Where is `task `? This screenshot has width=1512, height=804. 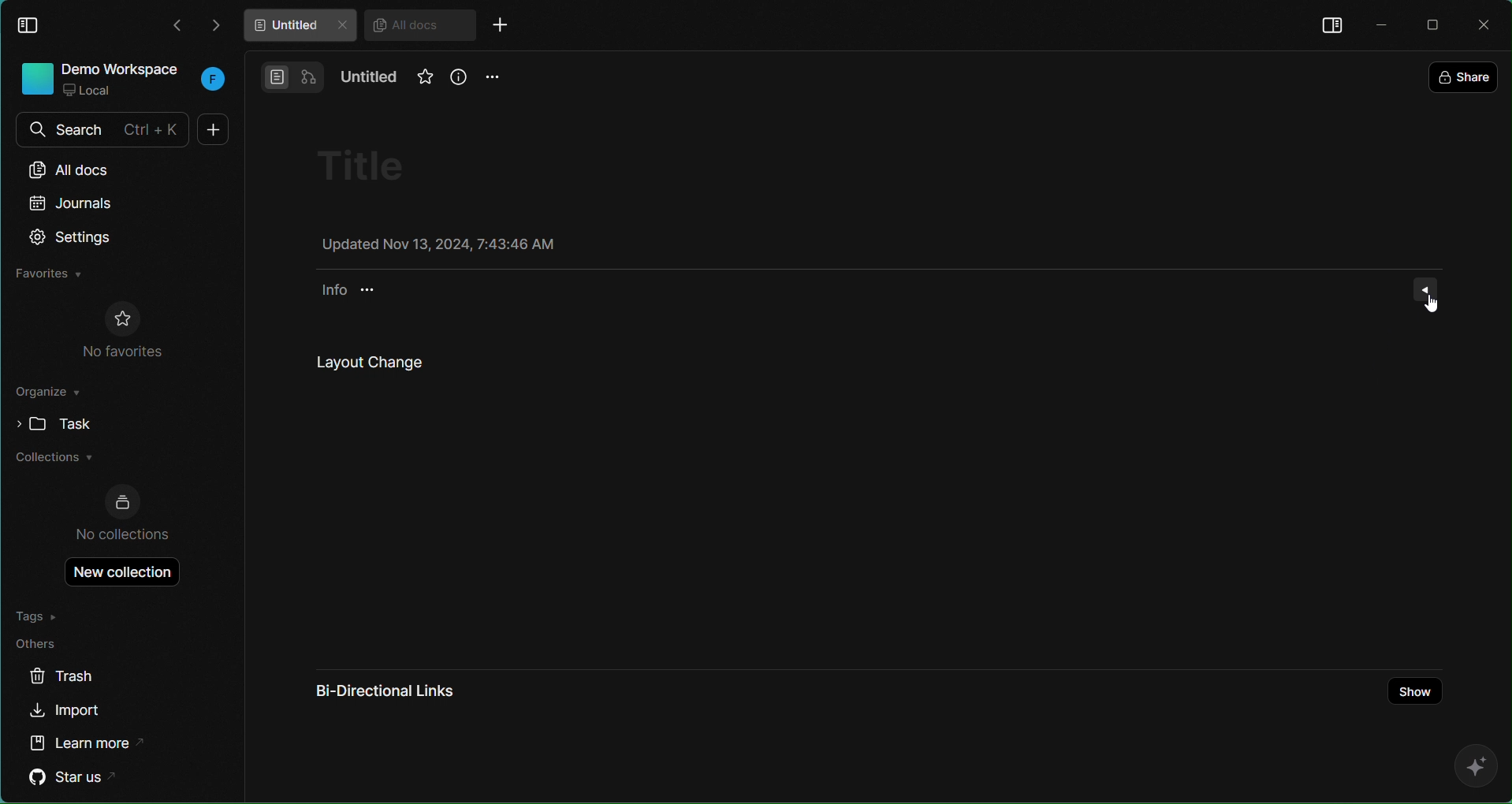 task  is located at coordinates (49, 423).